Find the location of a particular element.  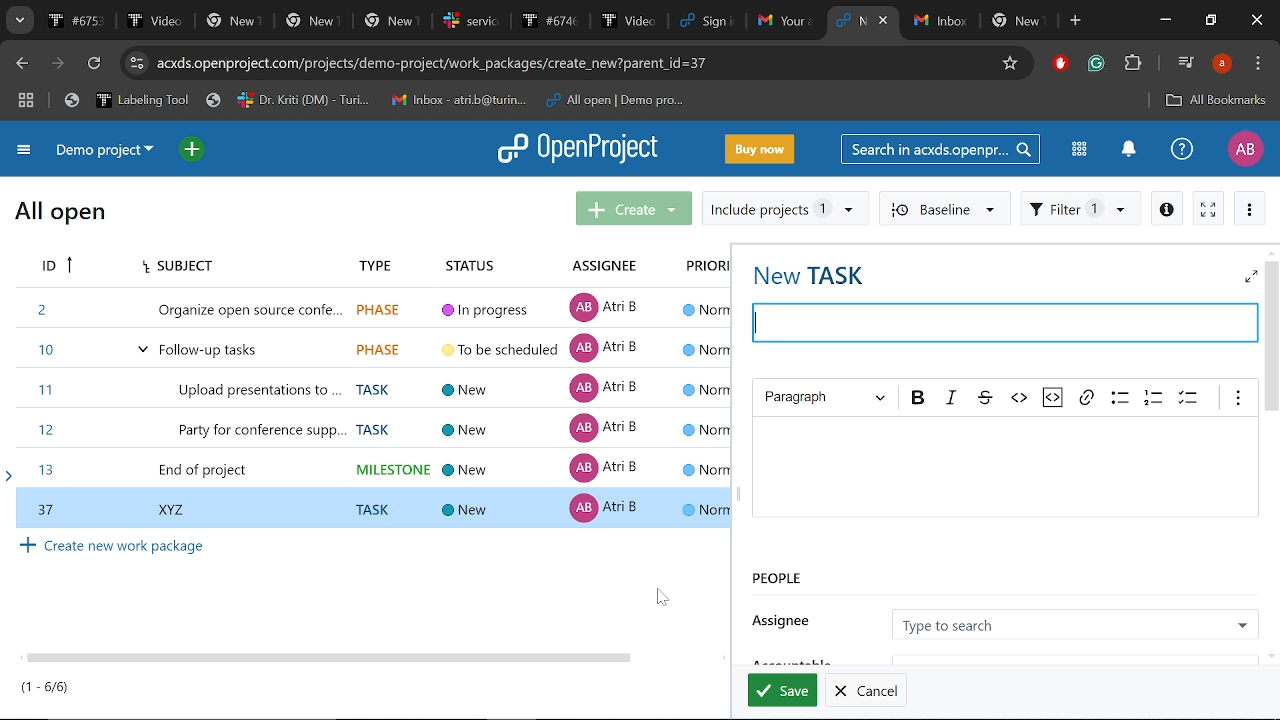

Control your music videos and more is located at coordinates (1186, 61).